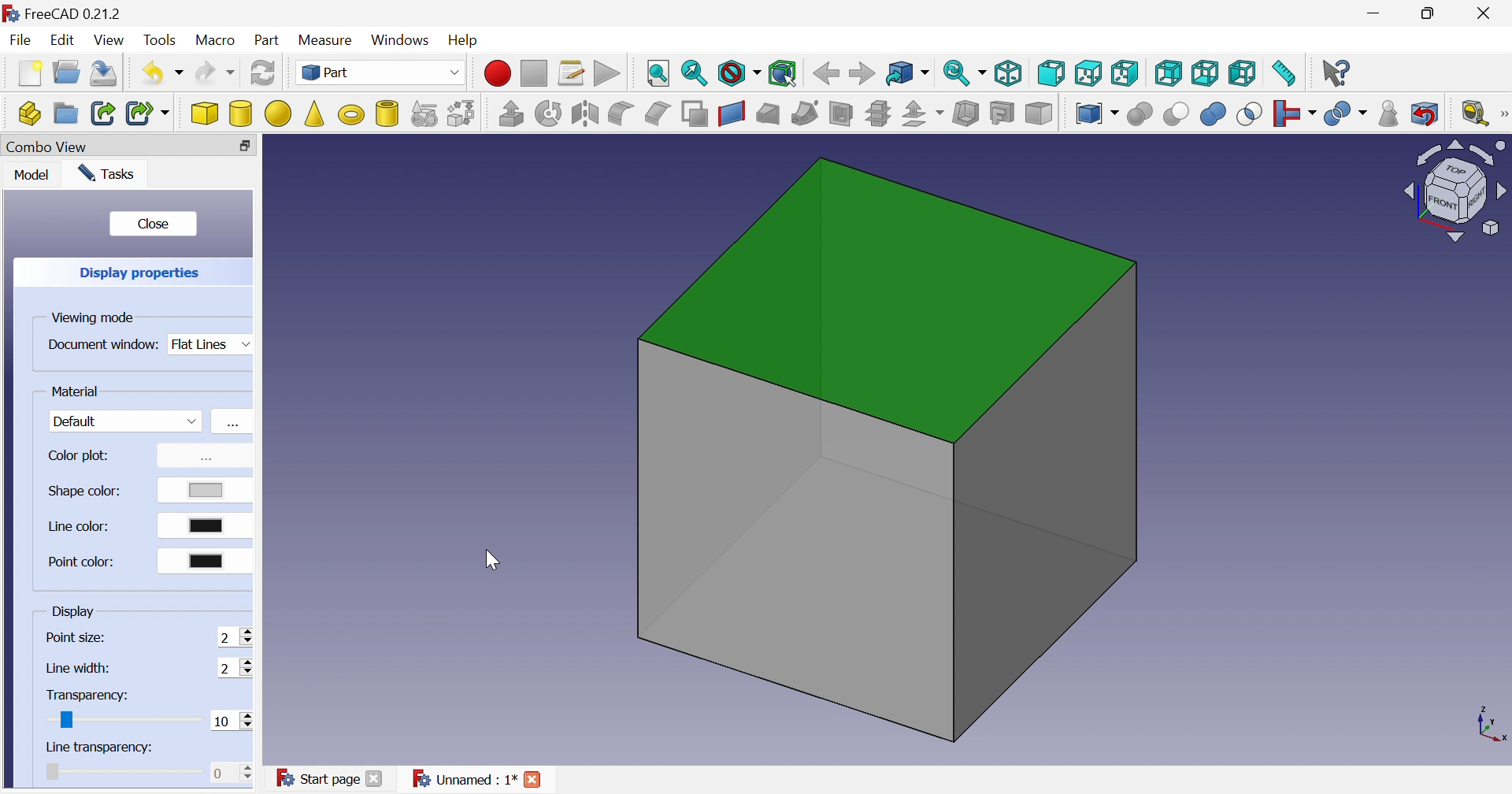 The image size is (1512, 794). Describe the element at coordinates (1431, 14) in the screenshot. I see `Restore down` at that location.